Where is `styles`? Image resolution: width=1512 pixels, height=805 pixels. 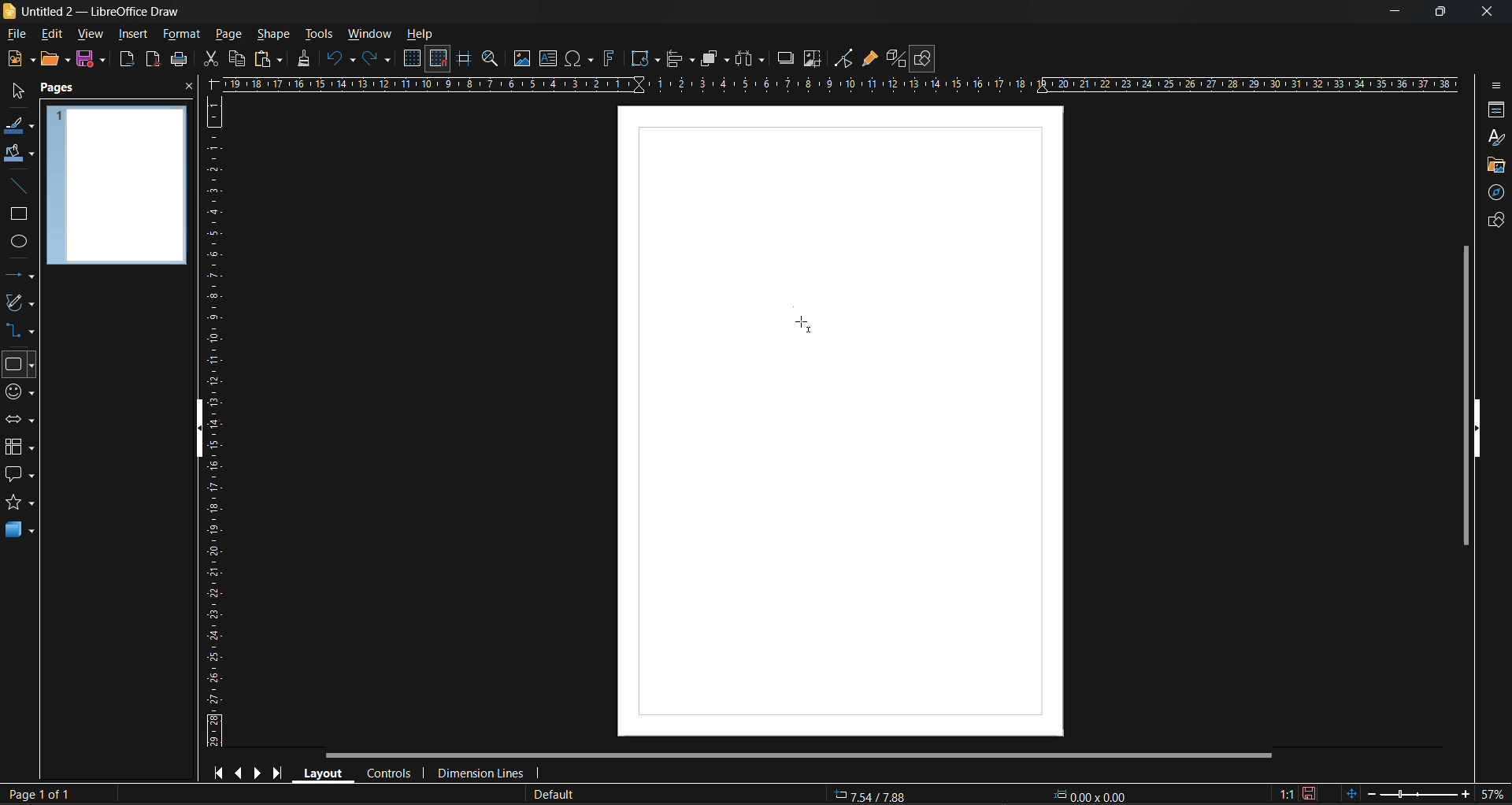
styles is located at coordinates (1497, 139).